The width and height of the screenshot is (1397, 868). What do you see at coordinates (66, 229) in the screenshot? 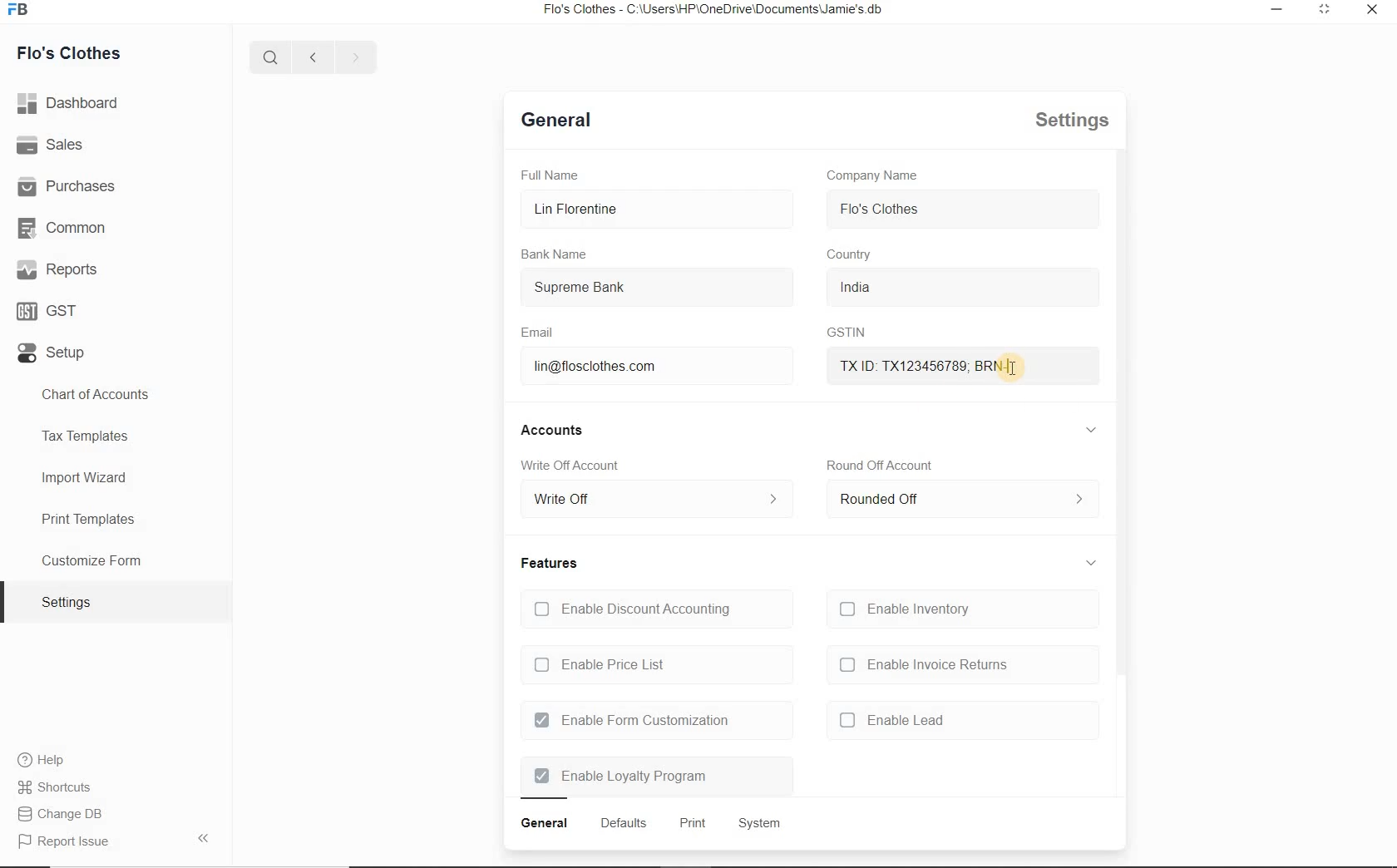
I see `Common` at bounding box center [66, 229].